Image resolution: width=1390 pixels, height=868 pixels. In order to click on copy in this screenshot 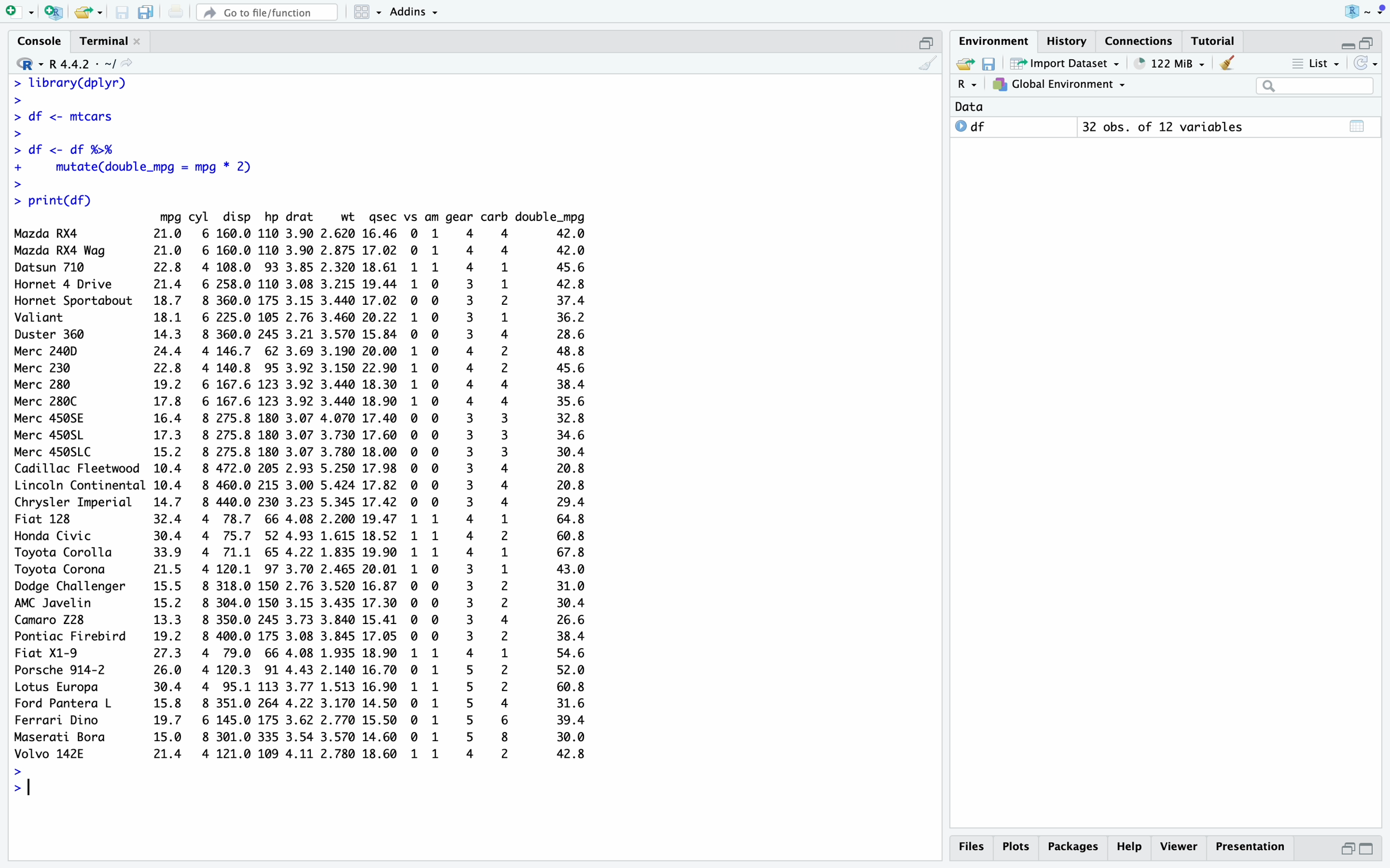, I will do `click(146, 12)`.